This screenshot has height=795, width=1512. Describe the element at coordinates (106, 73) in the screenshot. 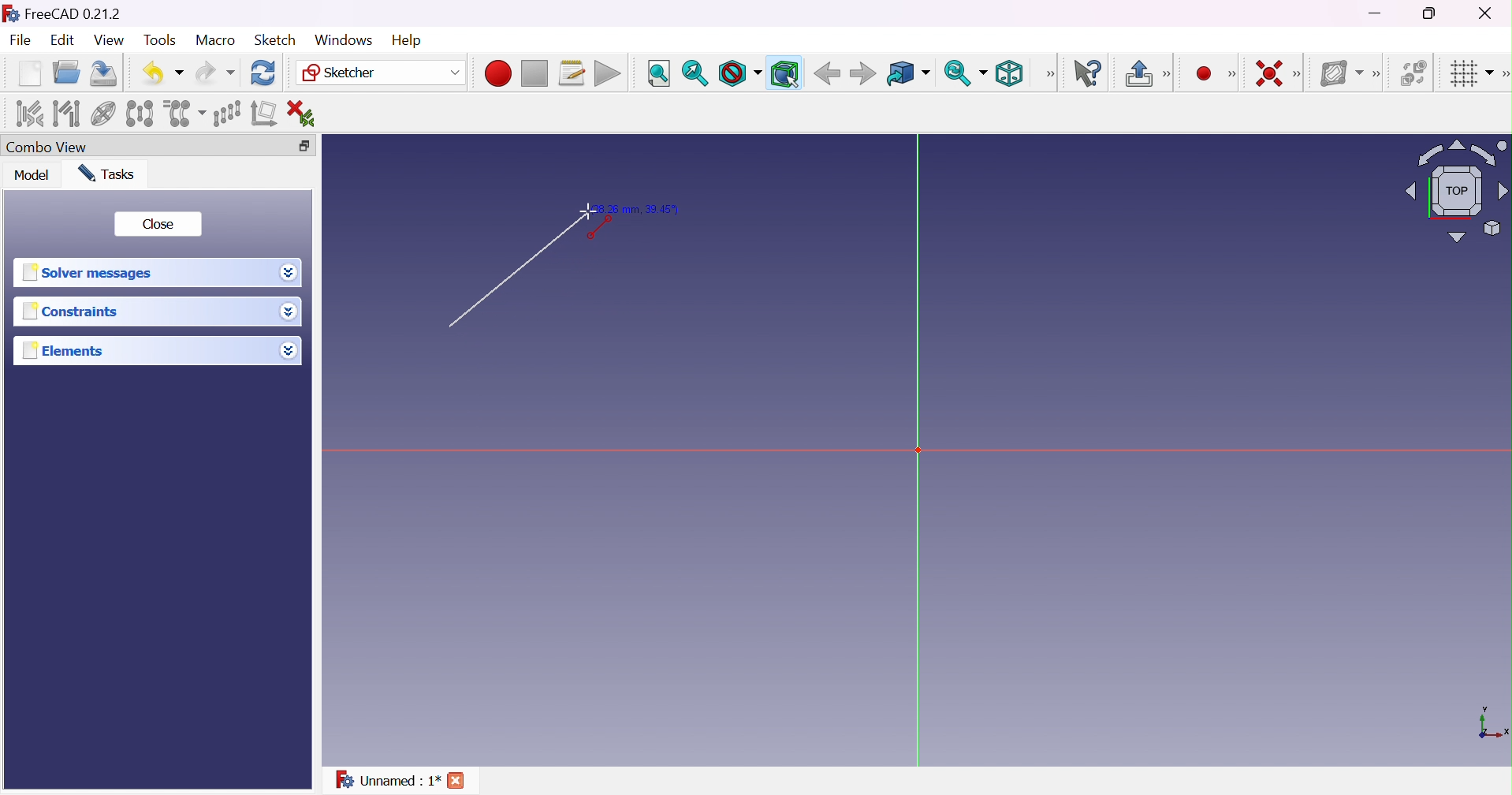

I see `Save` at that location.